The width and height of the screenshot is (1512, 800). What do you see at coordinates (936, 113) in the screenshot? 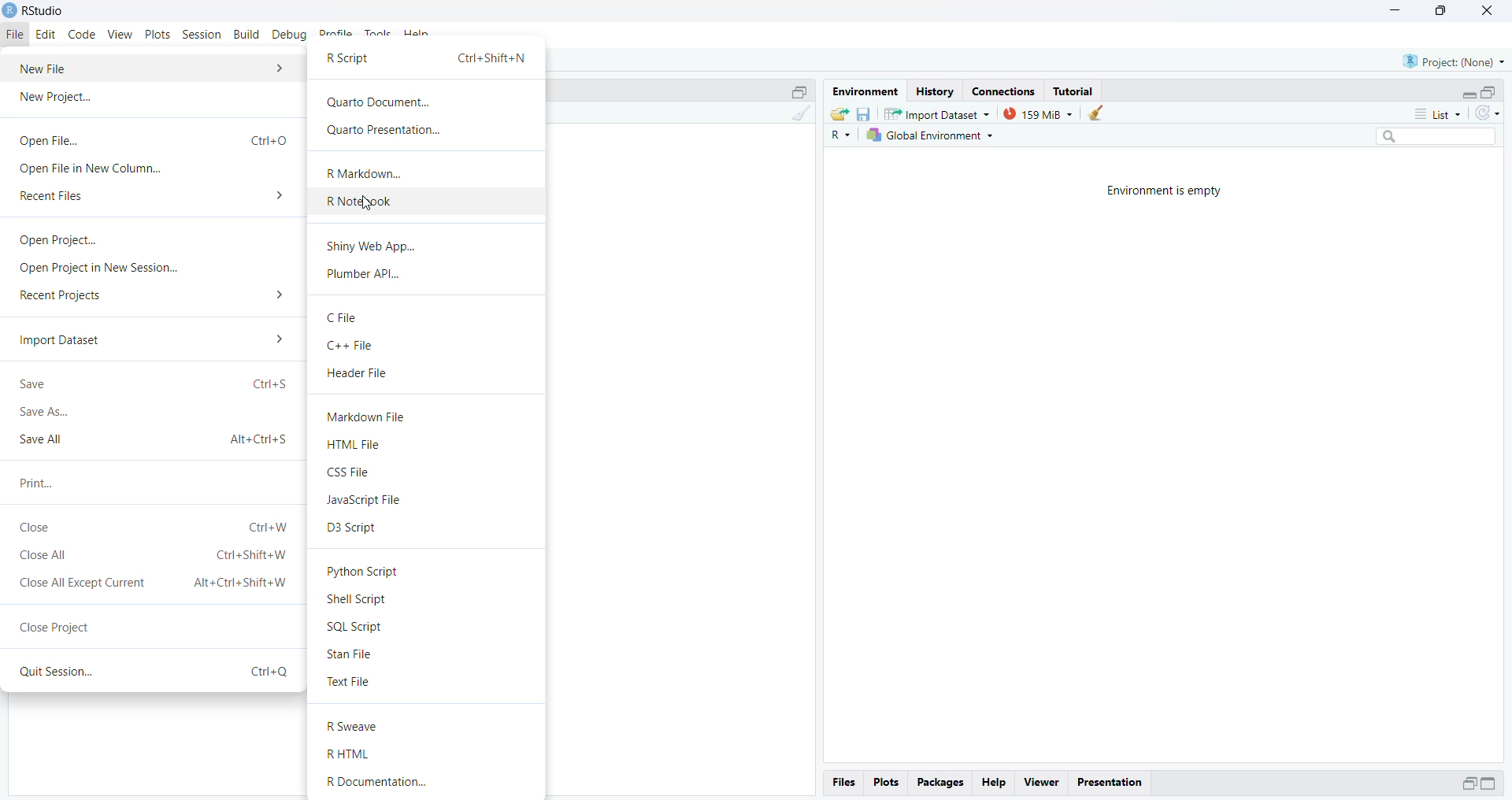
I see `Import dataset` at bounding box center [936, 113].